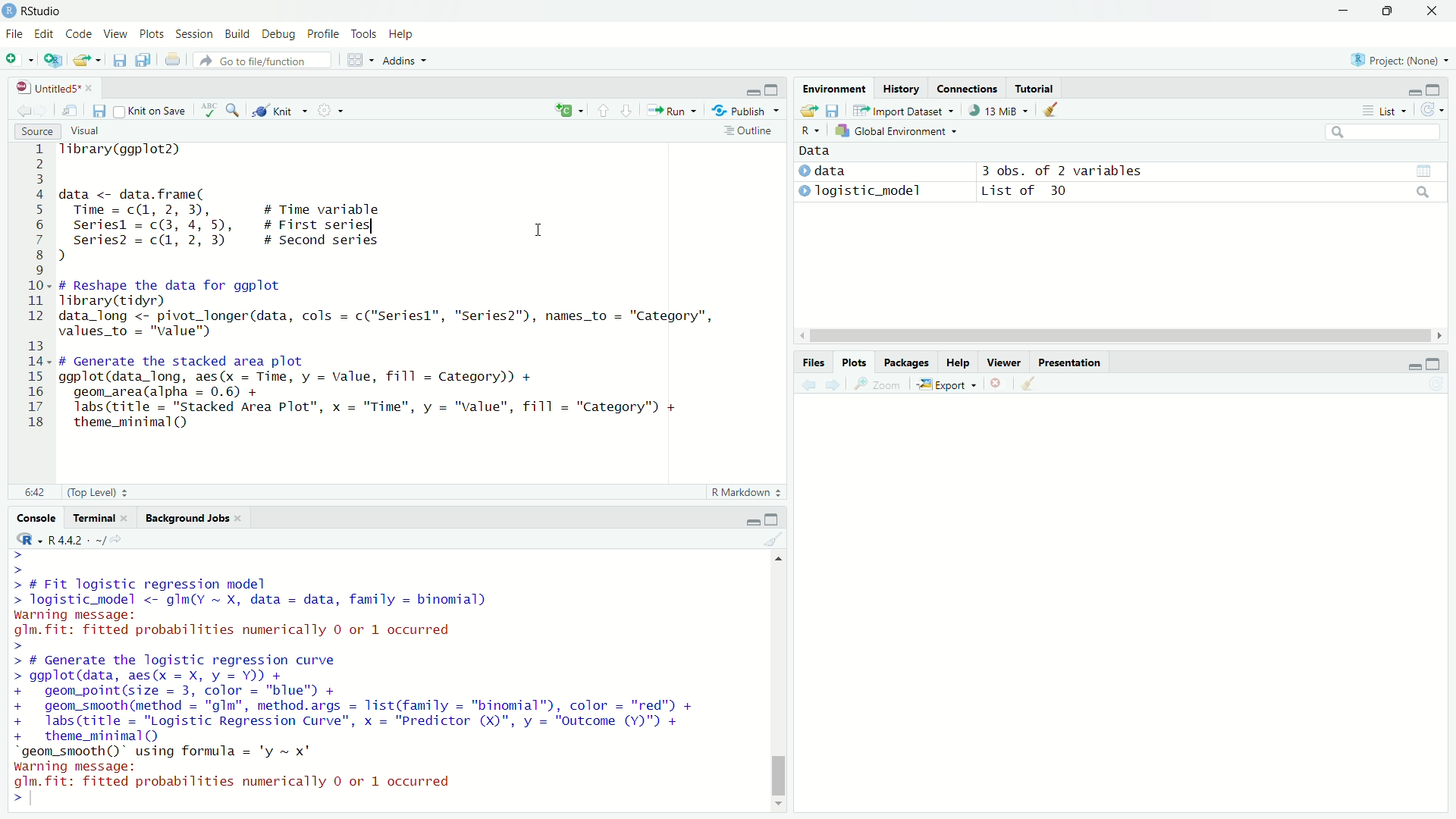  What do you see at coordinates (567, 110) in the screenshot?
I see `add` at bounding box center [567, 110].